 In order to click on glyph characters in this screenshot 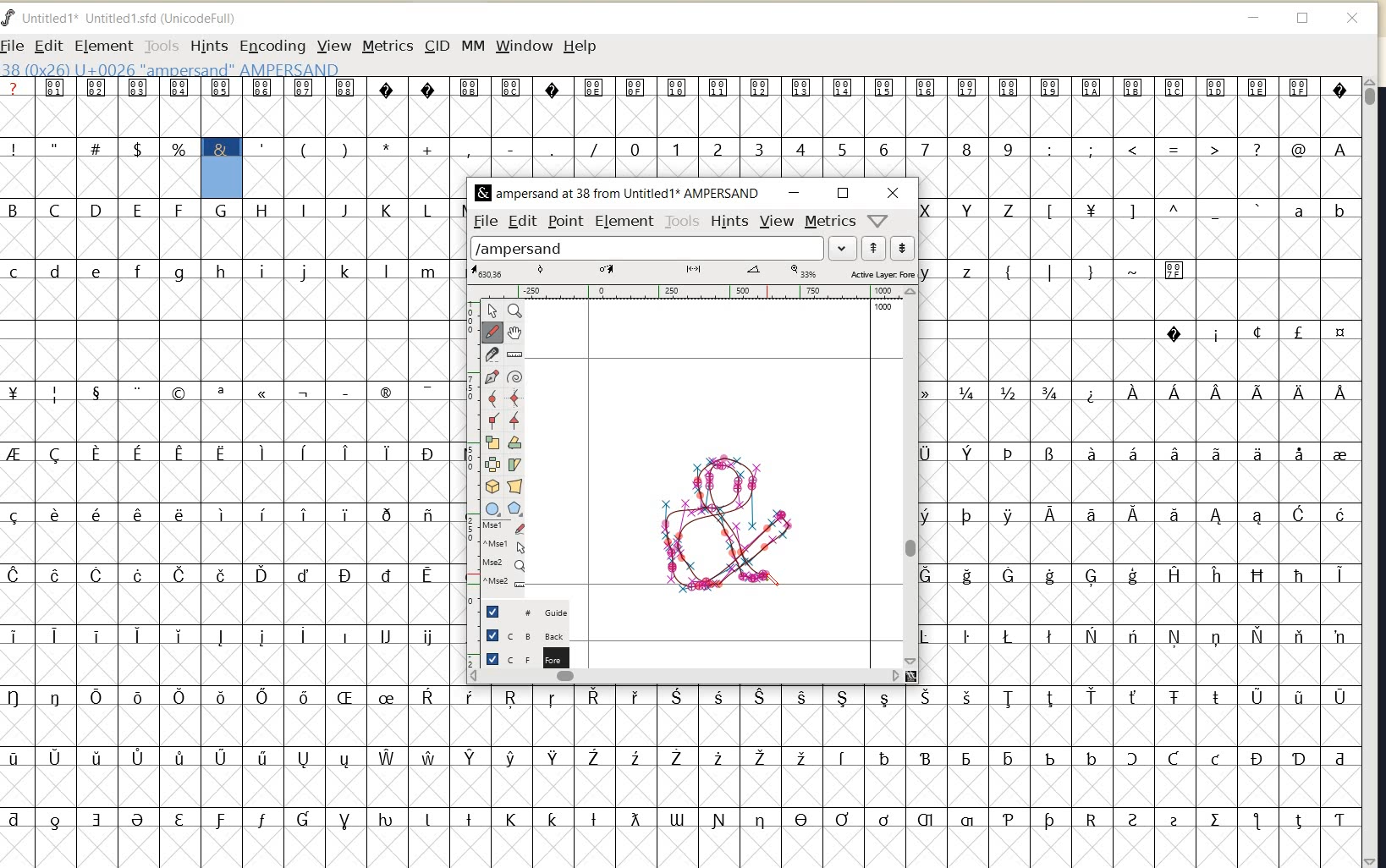, I will do `click(904, 768)`.